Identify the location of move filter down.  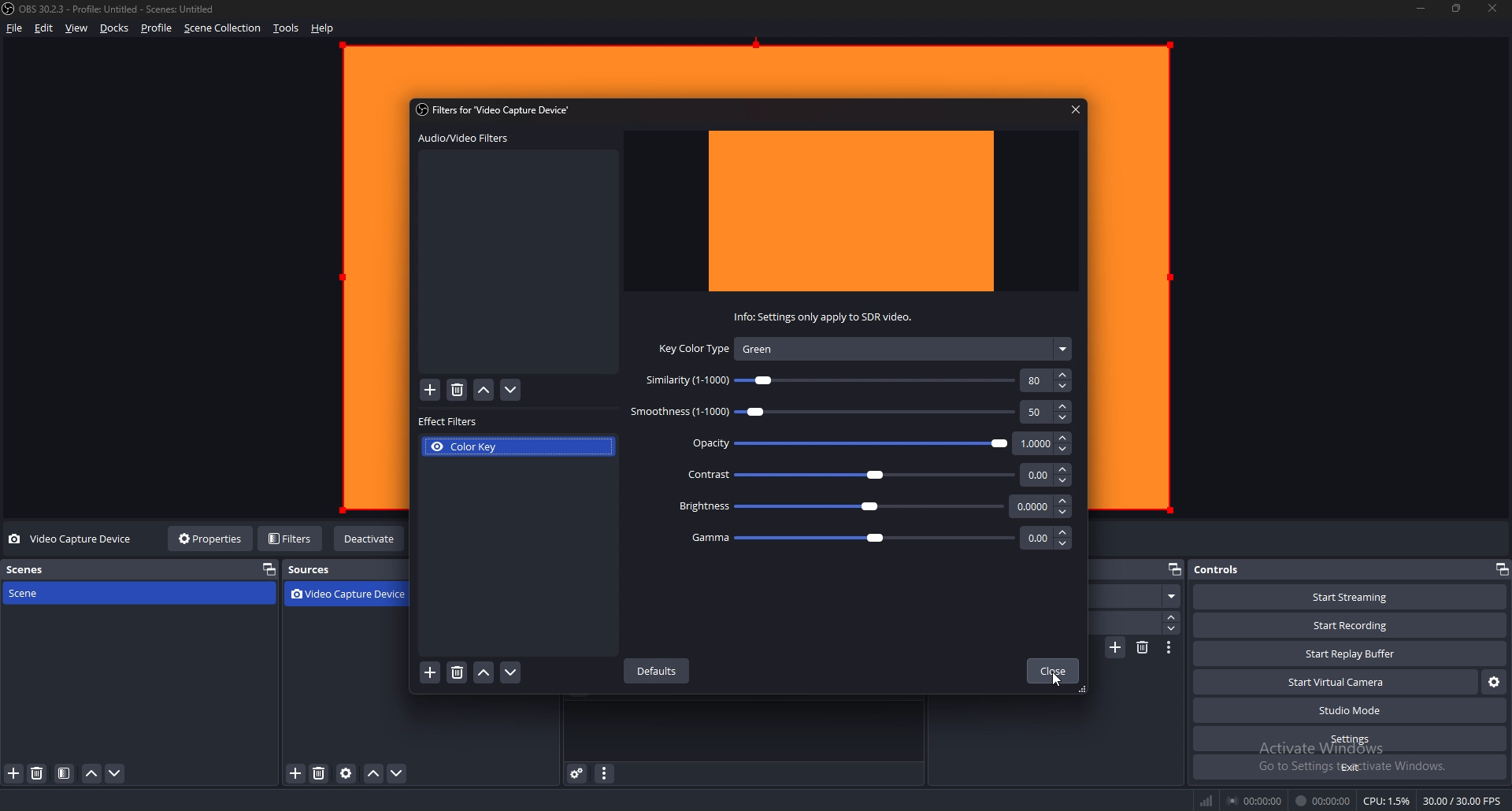
(510, 673).